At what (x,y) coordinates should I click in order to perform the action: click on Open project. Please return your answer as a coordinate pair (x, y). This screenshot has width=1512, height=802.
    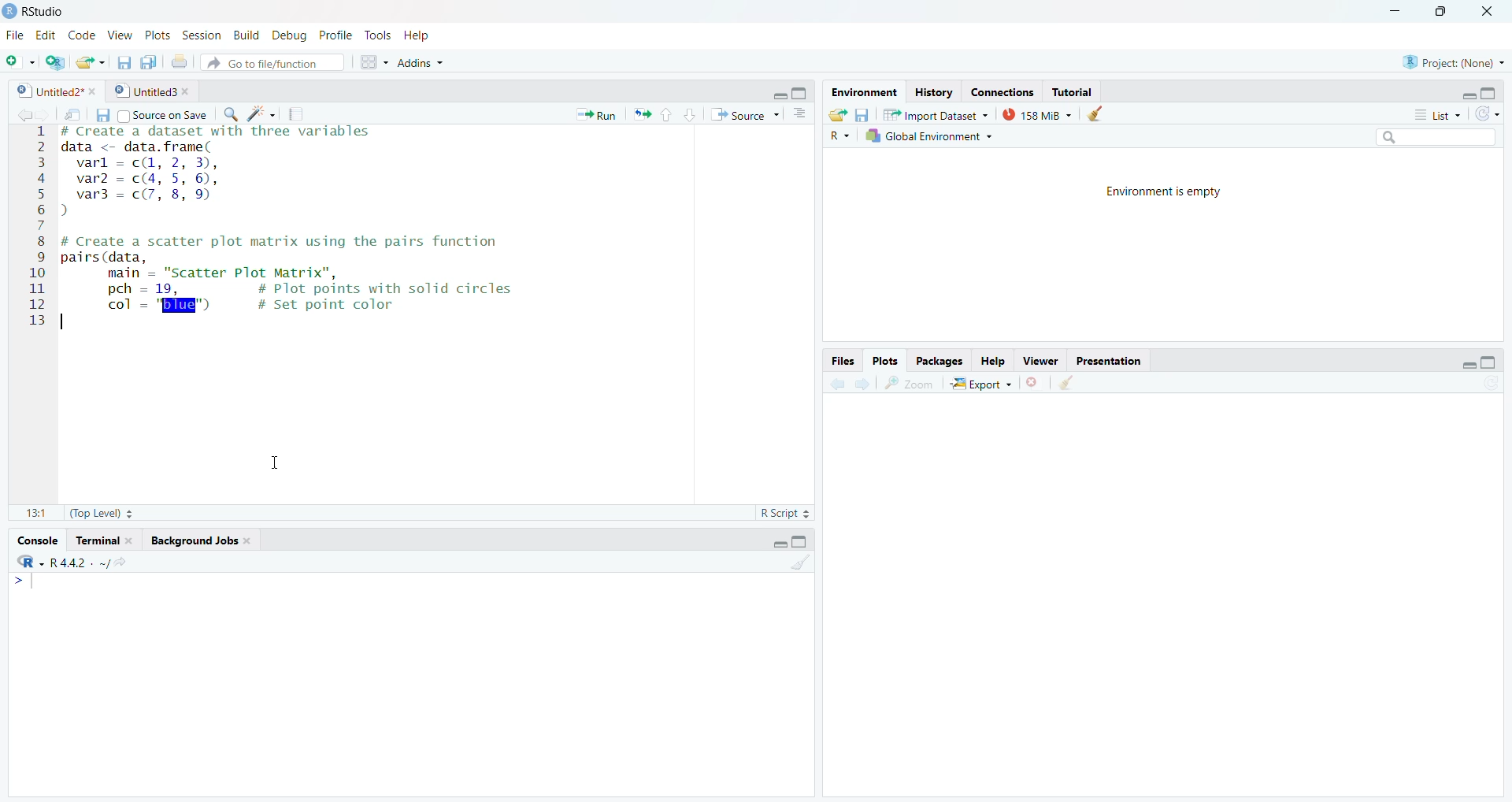
    Looking at the image, I should click on (91, 59).